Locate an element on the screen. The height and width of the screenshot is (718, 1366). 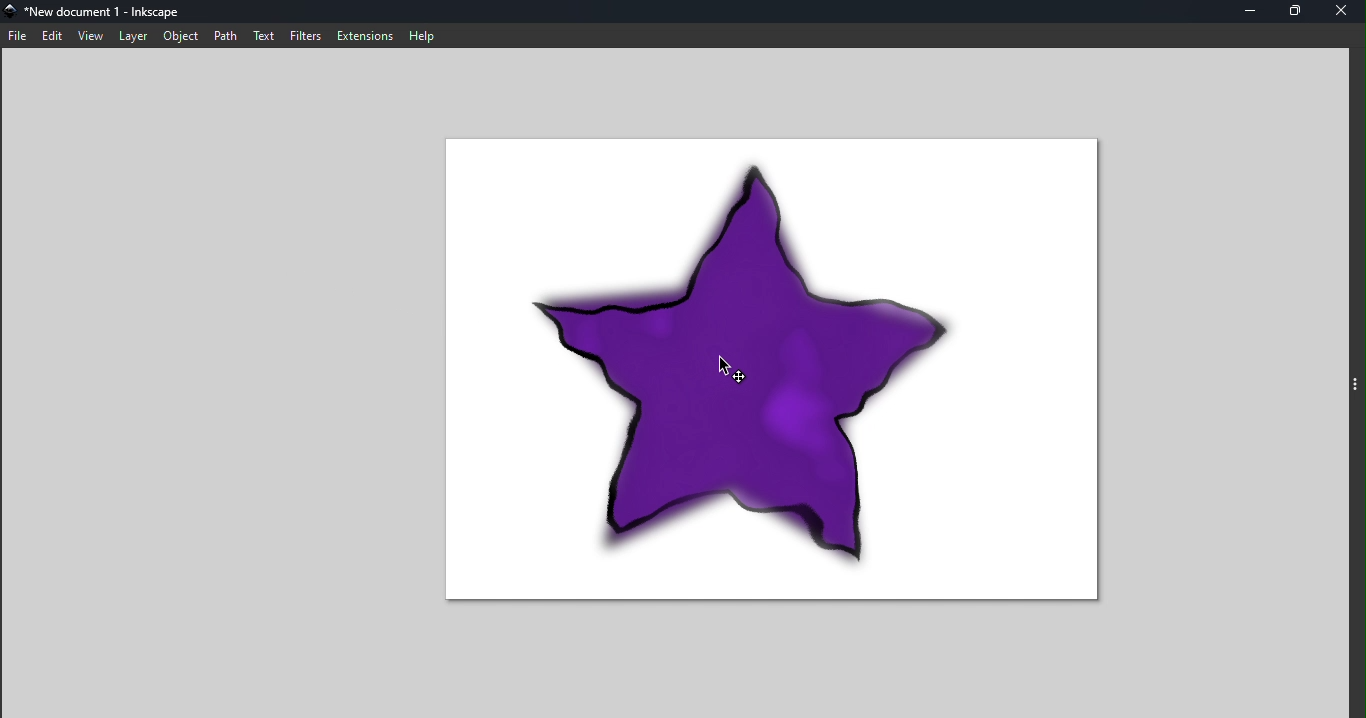
cursor is located at coordinates (726, 367).